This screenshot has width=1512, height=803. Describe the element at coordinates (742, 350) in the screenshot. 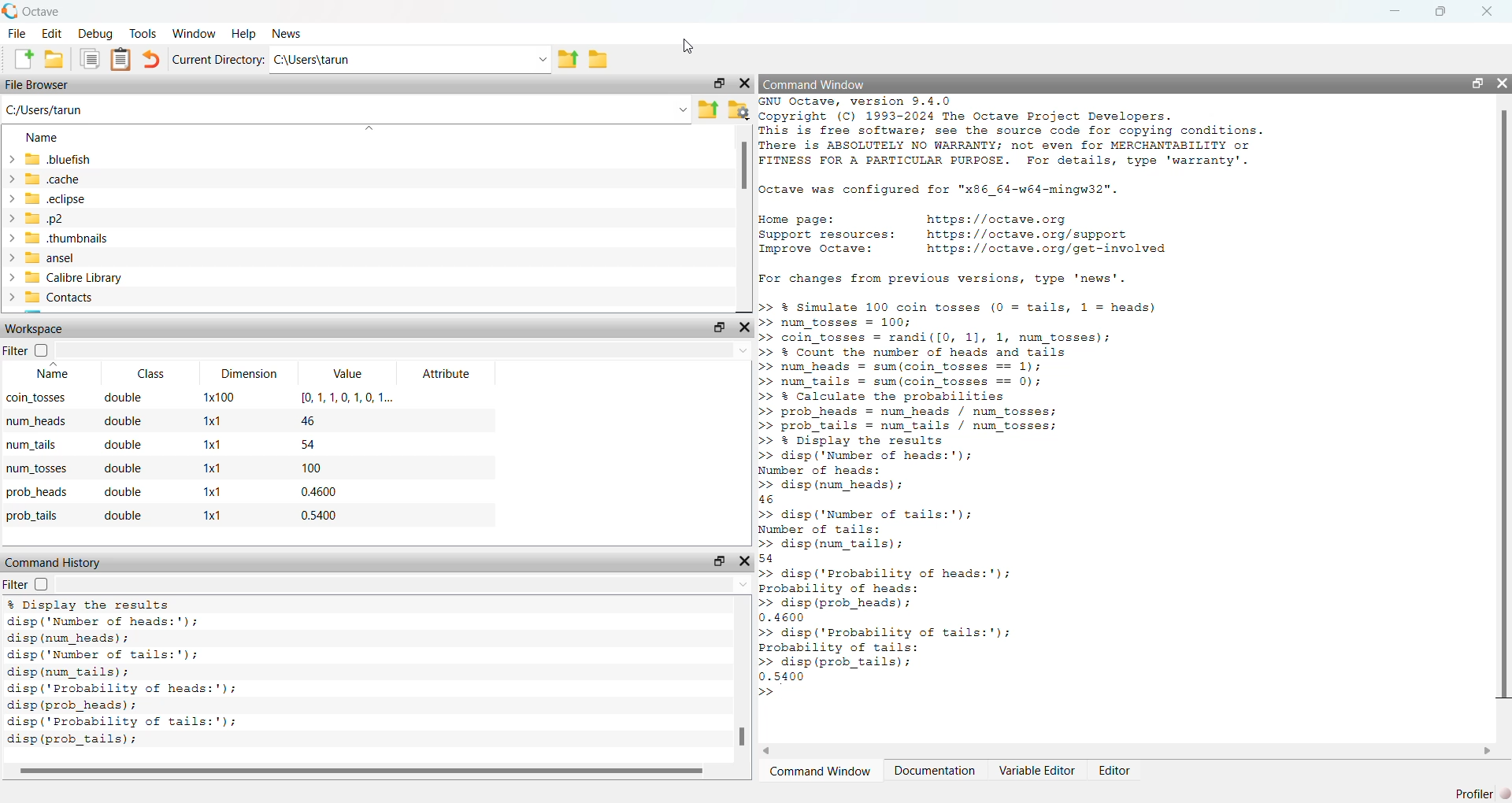

I see `dropdown` at that location.